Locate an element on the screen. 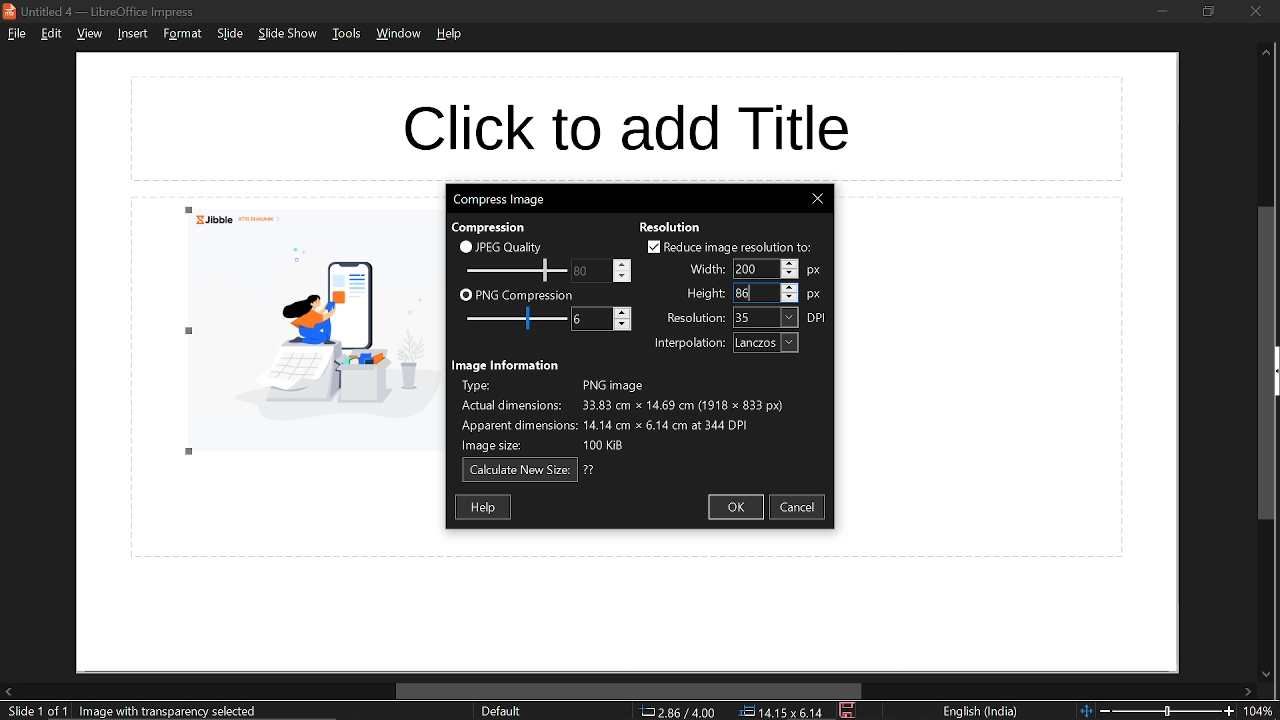 This screenshot has height=720, width=1280. increase jpeg quality is located at coordinates (622, 264).